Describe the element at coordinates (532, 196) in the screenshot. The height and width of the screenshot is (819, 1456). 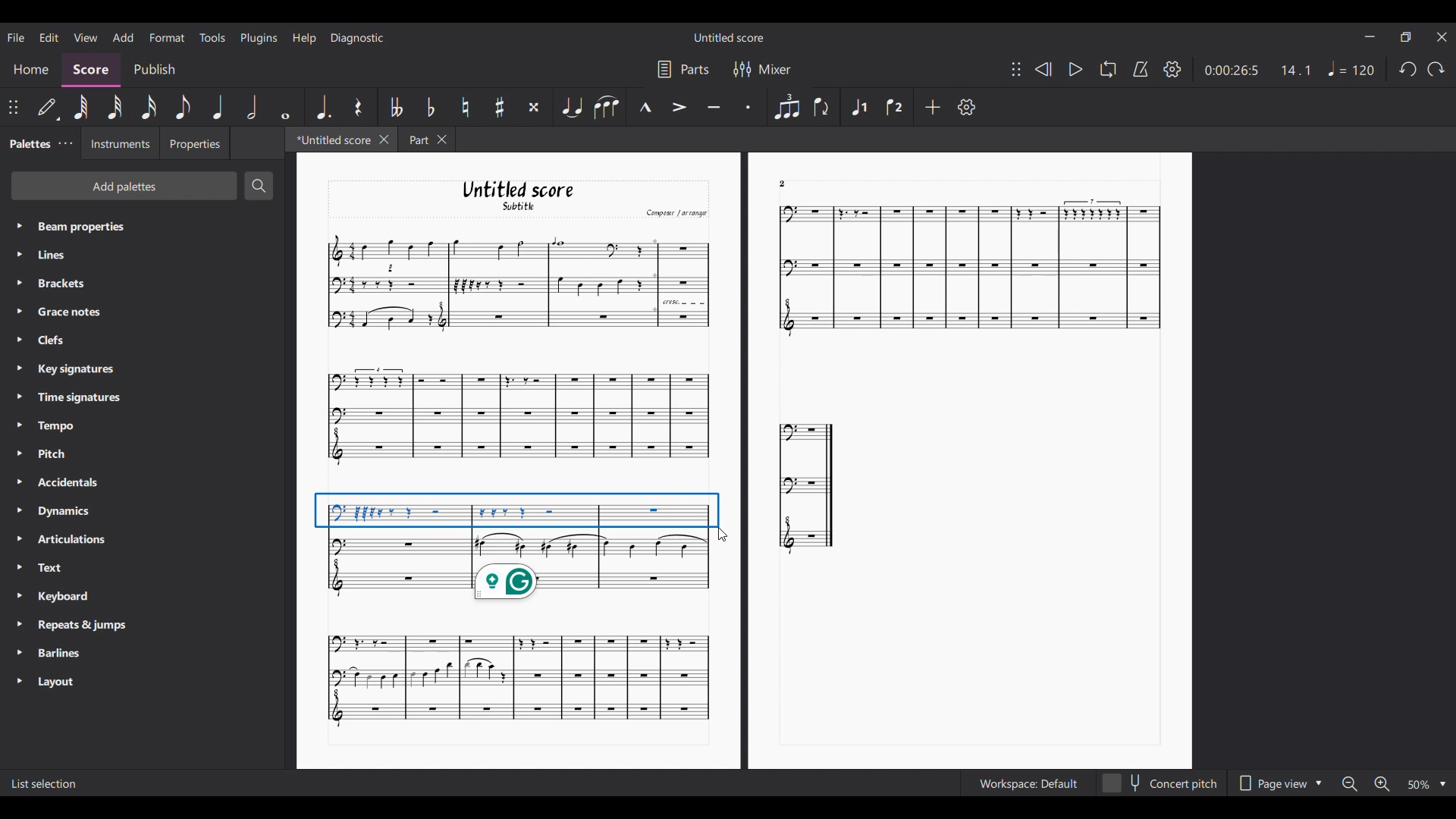
I see `Untitled score Subtitle` at that location.